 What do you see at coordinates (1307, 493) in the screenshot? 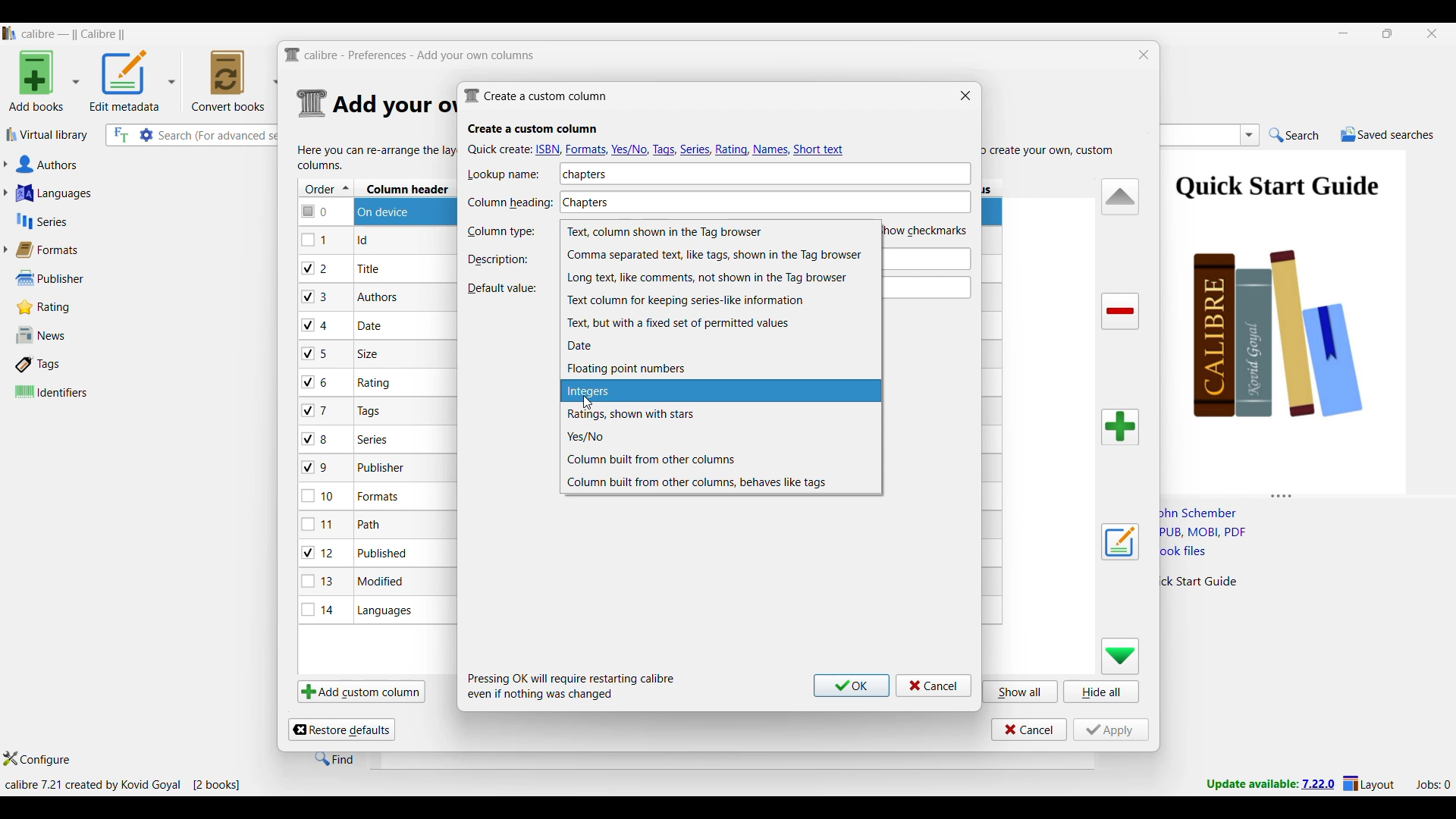
I see `Change height of columns attached to this panel` at bounding box center [1307, 493].